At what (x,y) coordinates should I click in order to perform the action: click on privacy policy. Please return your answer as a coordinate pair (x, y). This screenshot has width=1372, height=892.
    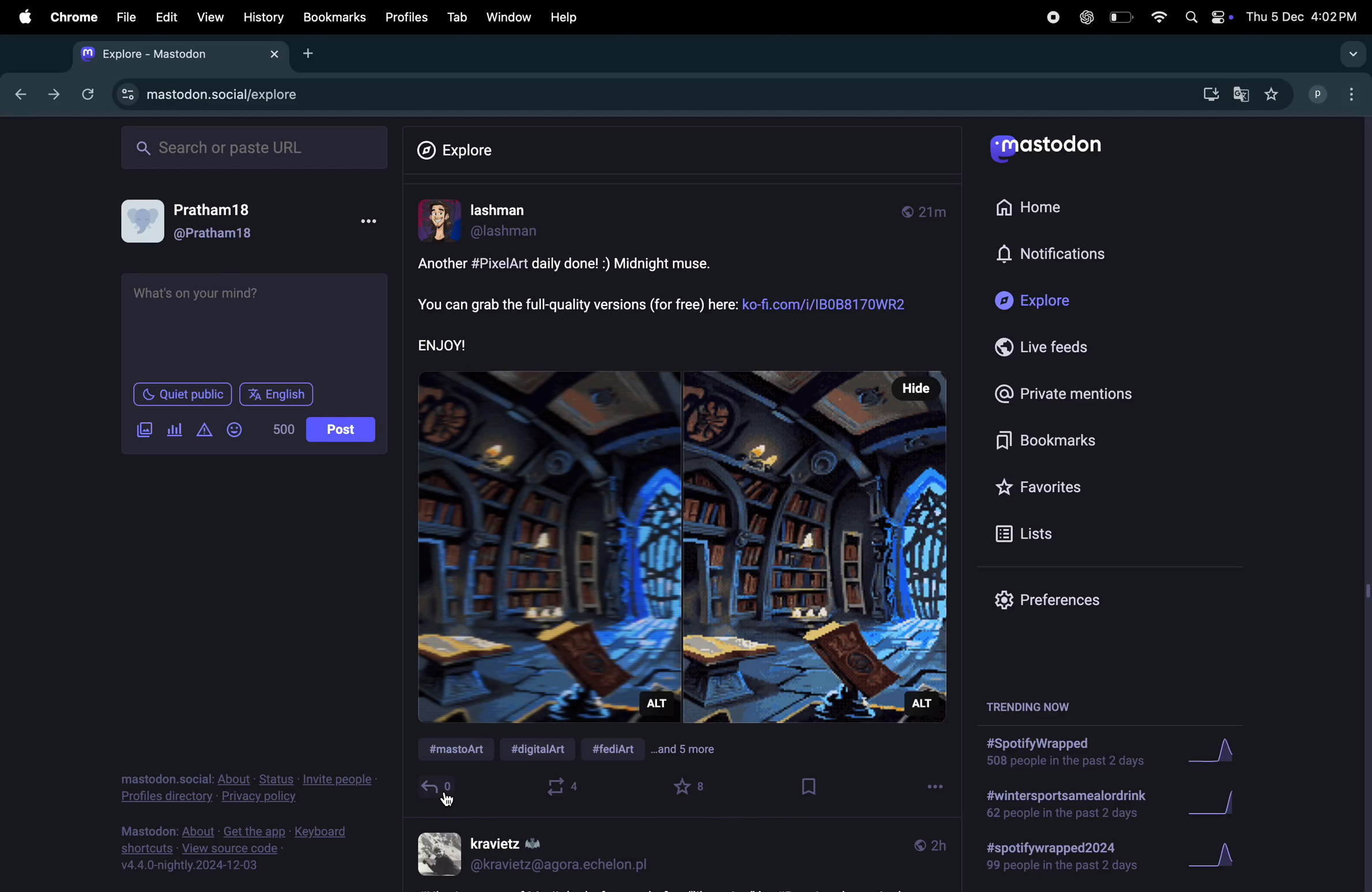
    Looking at the image, I should click on (250, 788).